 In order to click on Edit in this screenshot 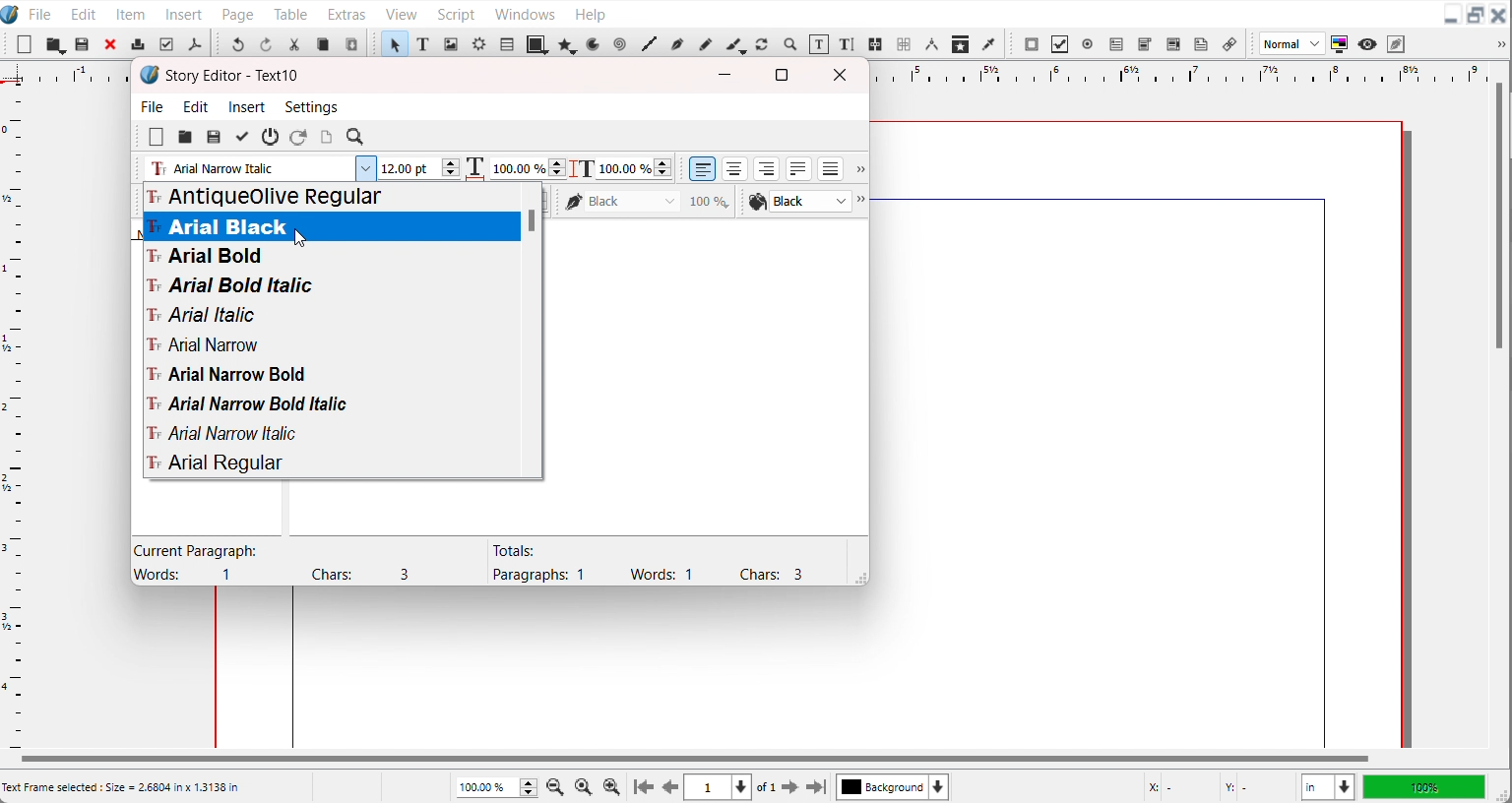, I will do `click(197, 106)`.